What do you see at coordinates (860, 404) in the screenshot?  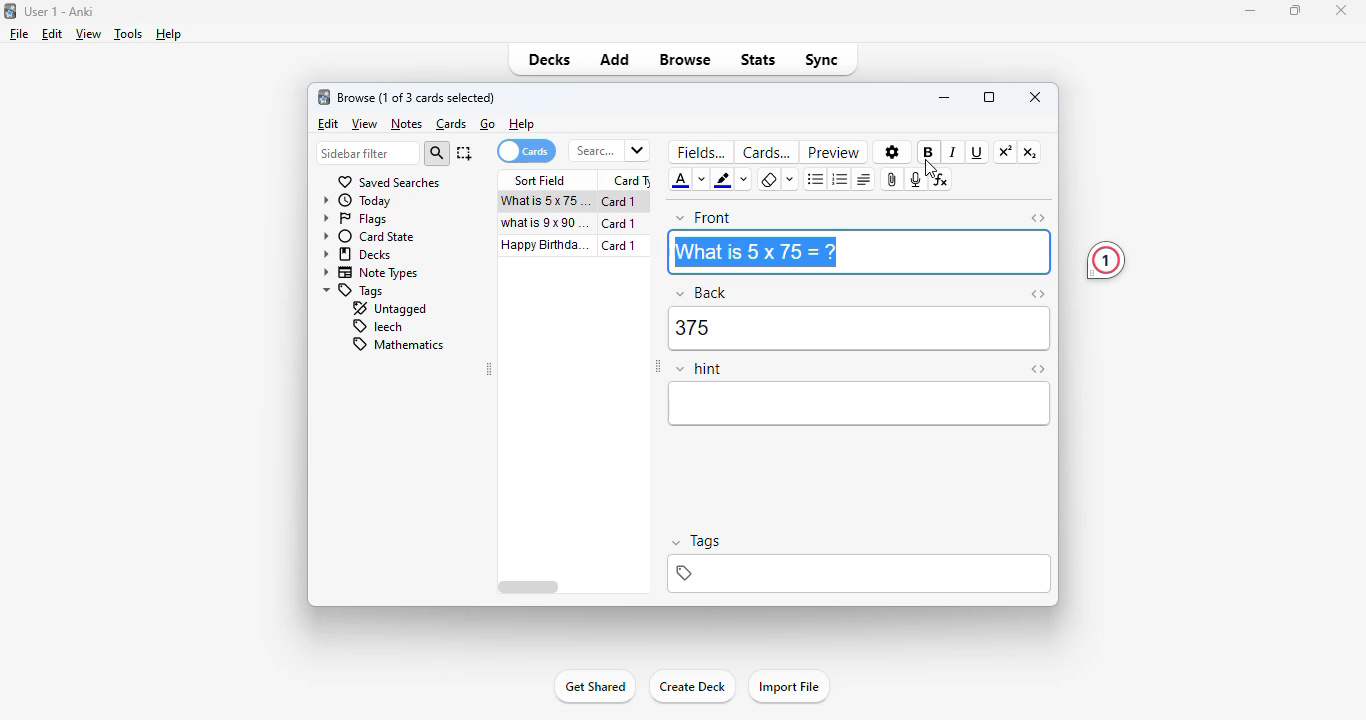 I see `editor` at bounding box center [860, 404].